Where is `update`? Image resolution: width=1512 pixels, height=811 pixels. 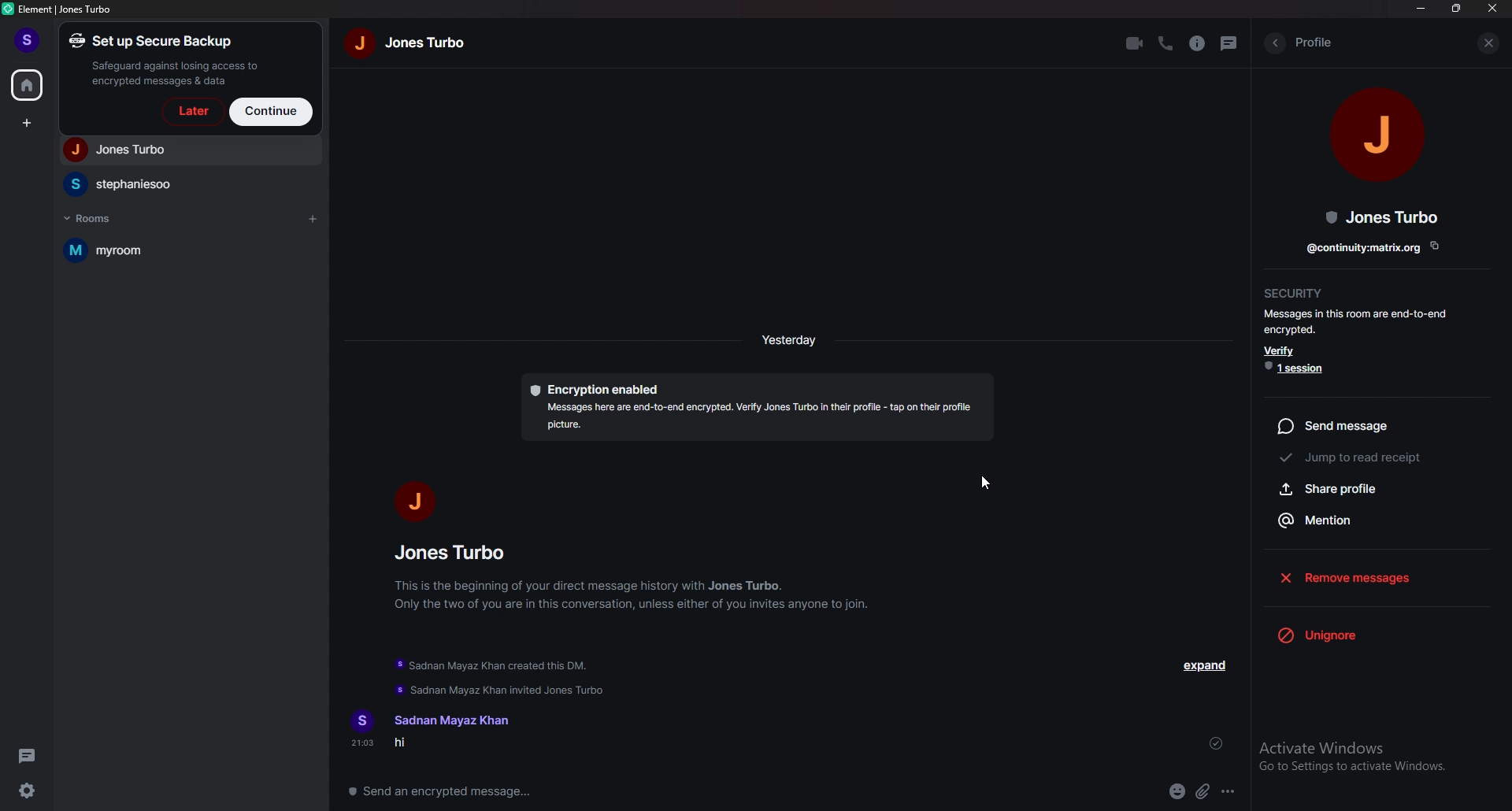 update is located at coordinates (495, 676).